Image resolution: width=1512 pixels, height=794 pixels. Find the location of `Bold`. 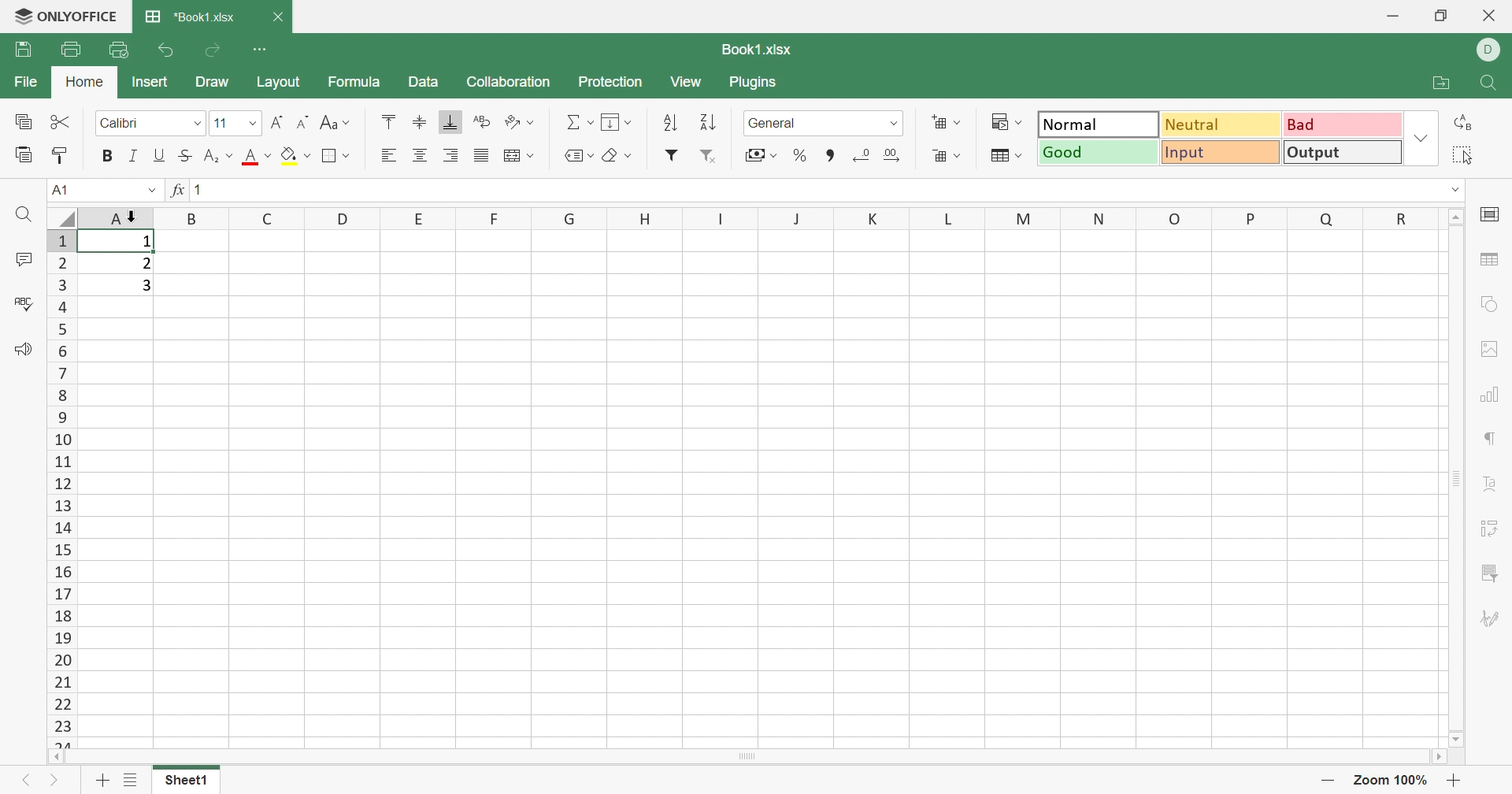

Bold is located at coordinates (108, 155).